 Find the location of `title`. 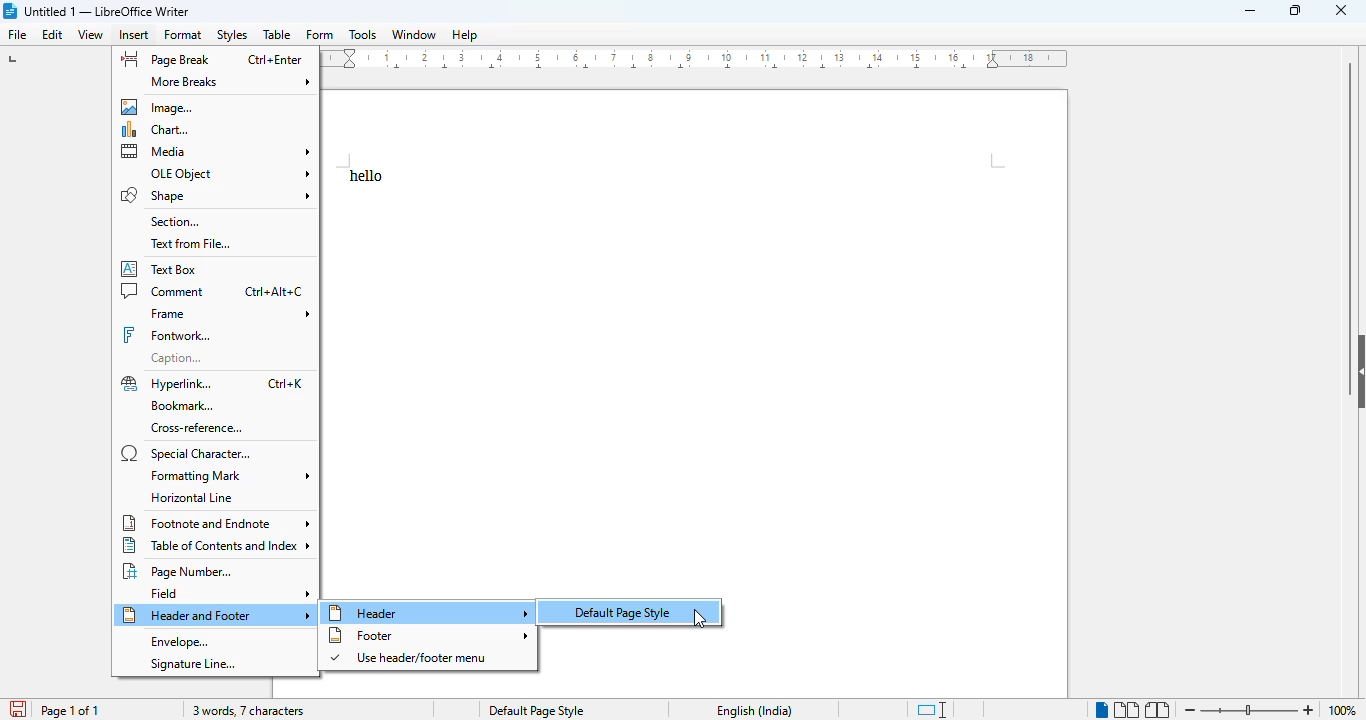

title is located at coordinates (108, 11).